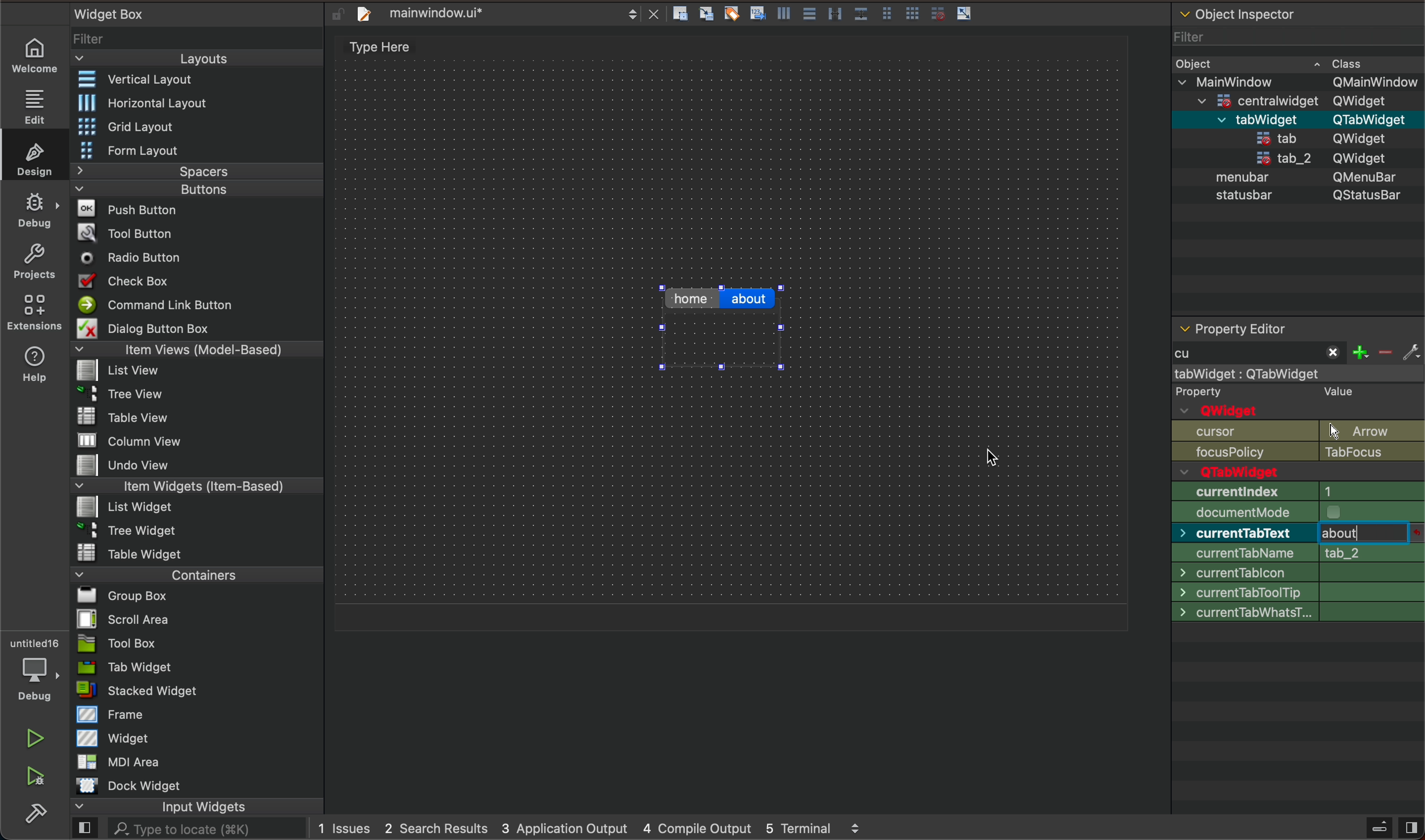 The height and width of the screenshot is (840, 1425). What do you see at coordinates (37, 362) in the screenshot?
I see `help` at bounding box center [37, 362].